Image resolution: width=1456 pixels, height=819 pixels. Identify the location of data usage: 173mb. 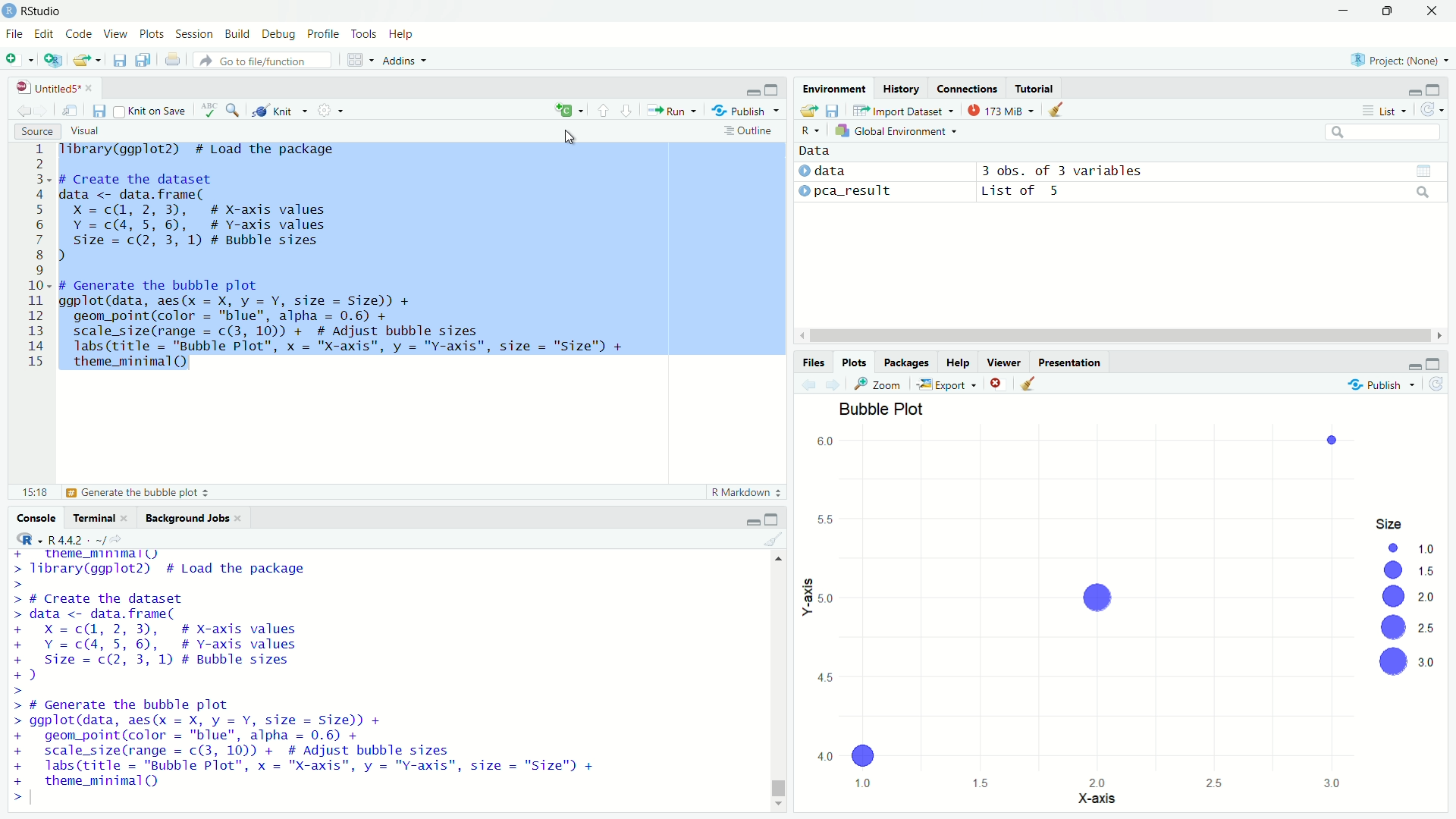
(999, 109).